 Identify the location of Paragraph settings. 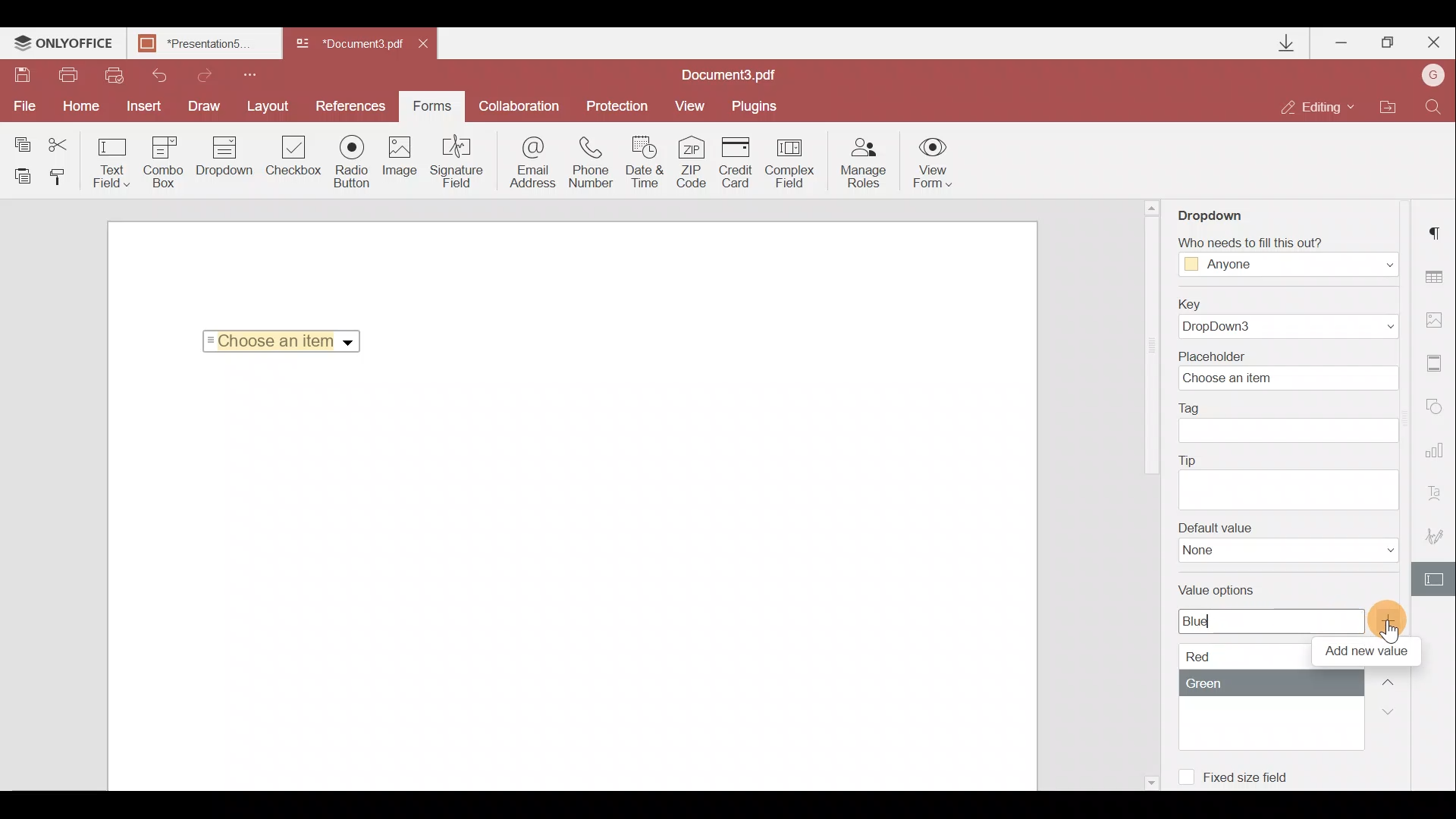
(1439, 231).